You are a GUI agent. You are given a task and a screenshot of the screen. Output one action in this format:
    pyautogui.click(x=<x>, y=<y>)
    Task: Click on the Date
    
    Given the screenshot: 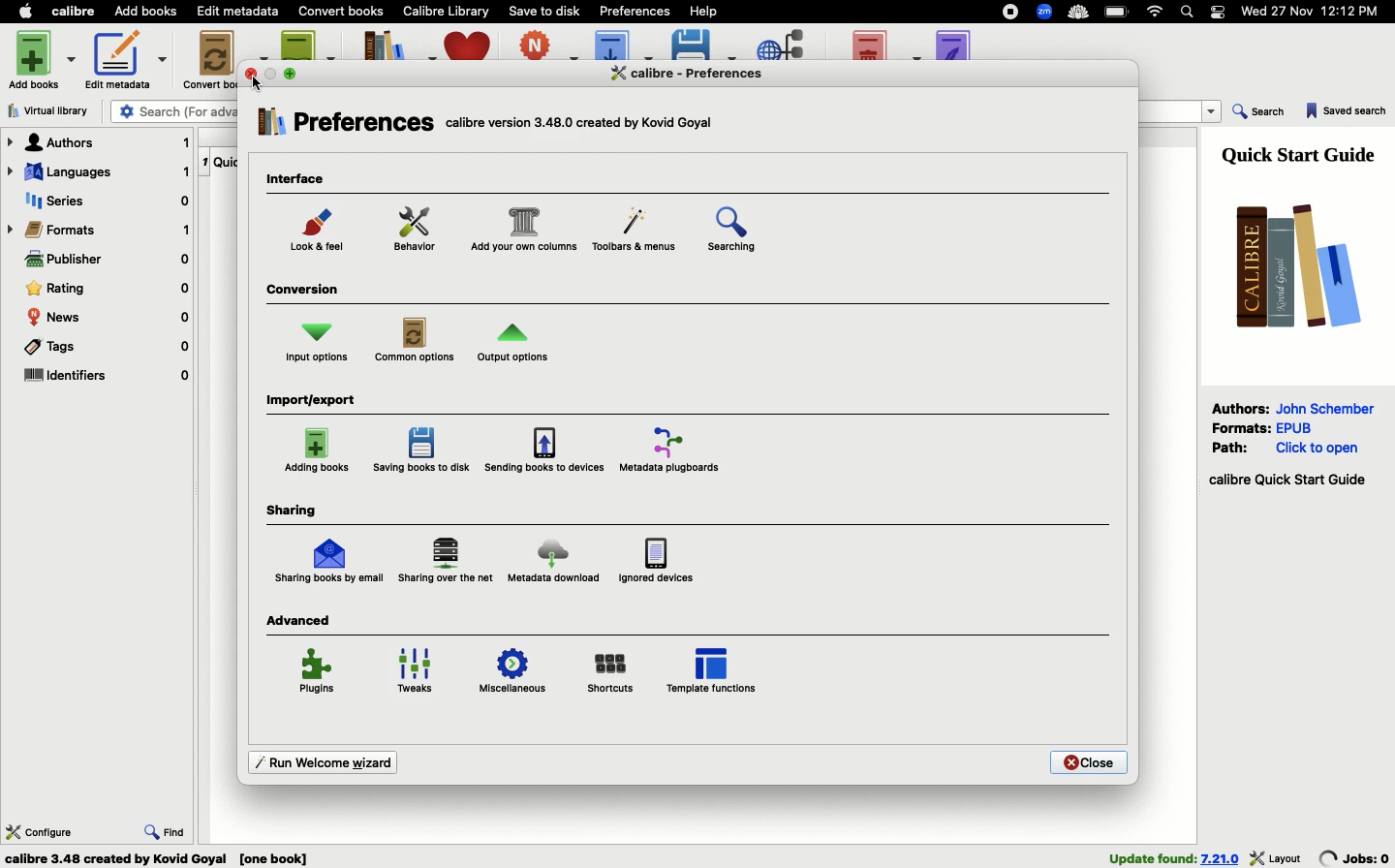 What is the action you would take?
    pyautogui.click(x=1317, y=13)
    